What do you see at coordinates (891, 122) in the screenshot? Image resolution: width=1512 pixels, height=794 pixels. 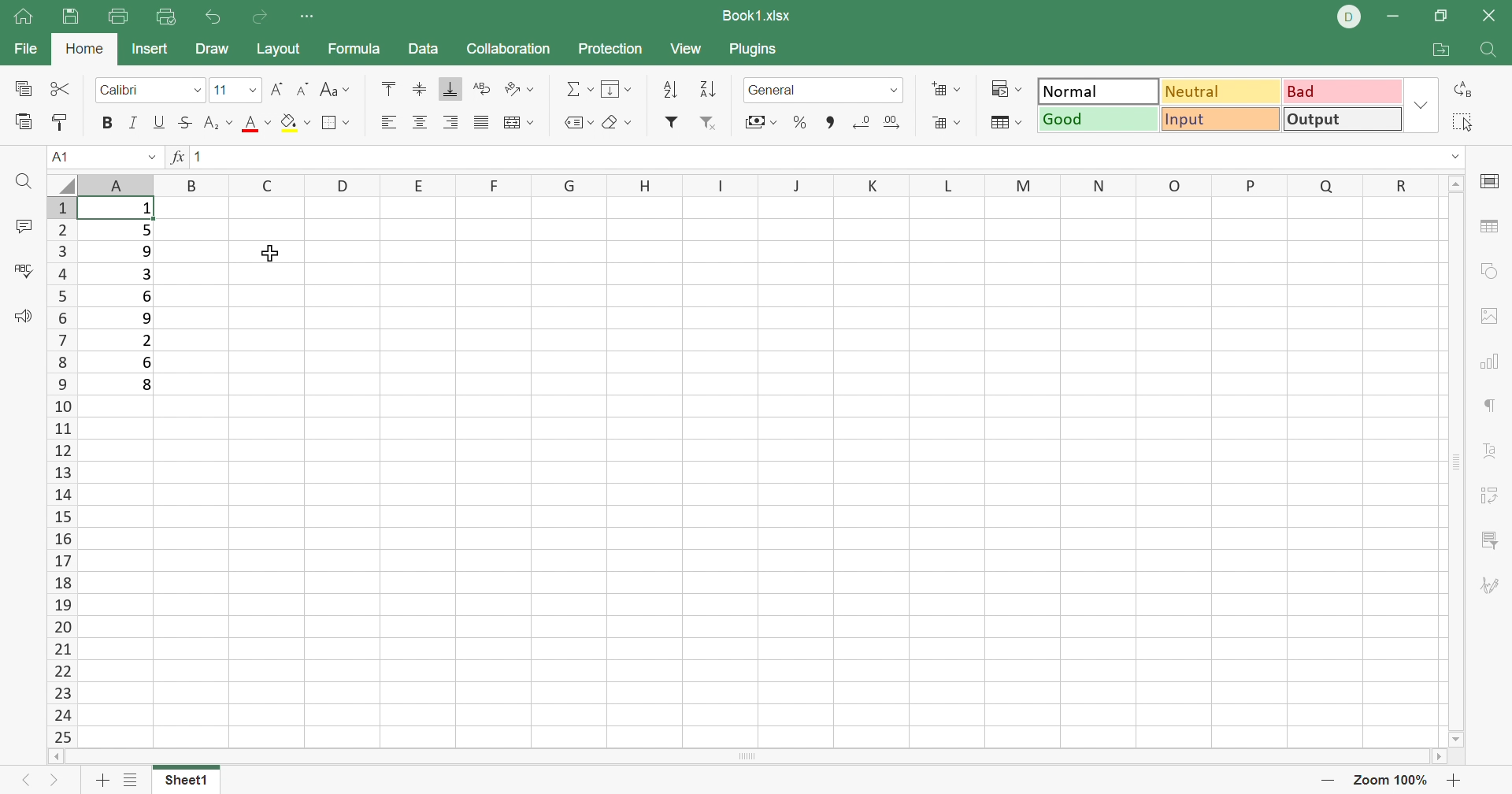 I see `Increase decimal` at bounding box center [891, 122].